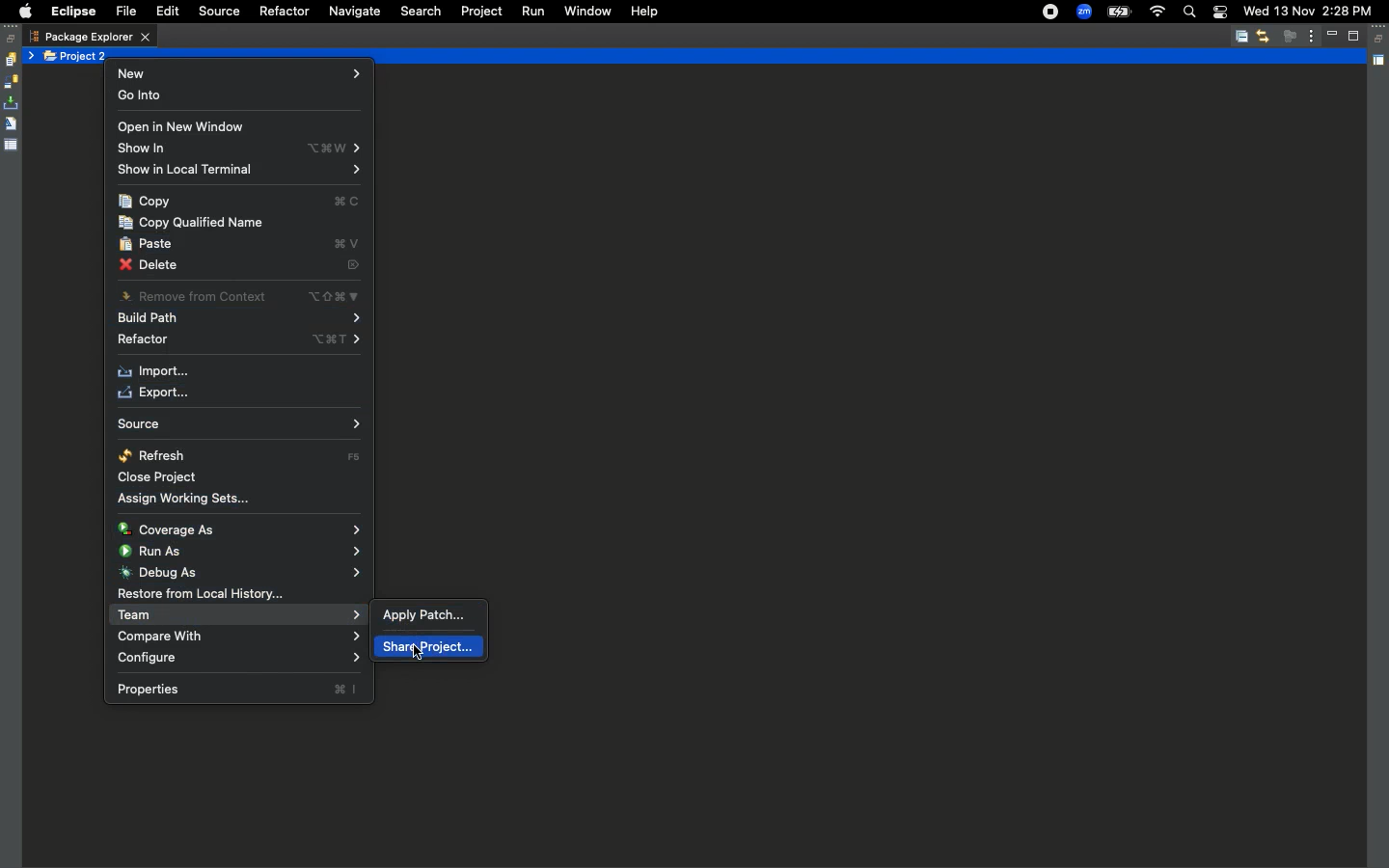 This screenshot has width=1389, height=868. I want to click on Source, so click(235, 424).